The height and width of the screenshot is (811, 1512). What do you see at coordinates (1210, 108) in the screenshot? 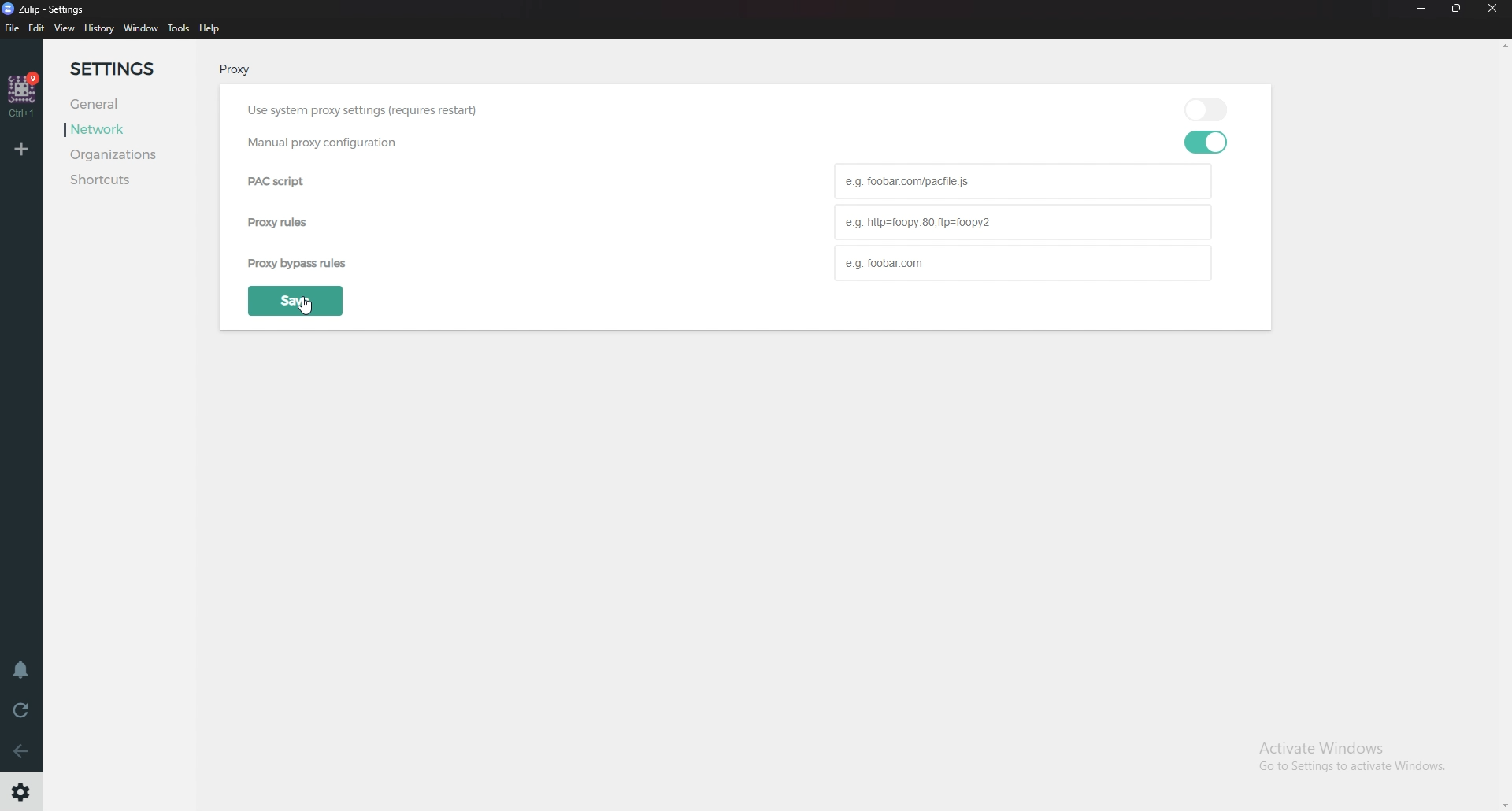
I see `toggle` at bounding box center [1210, 108].